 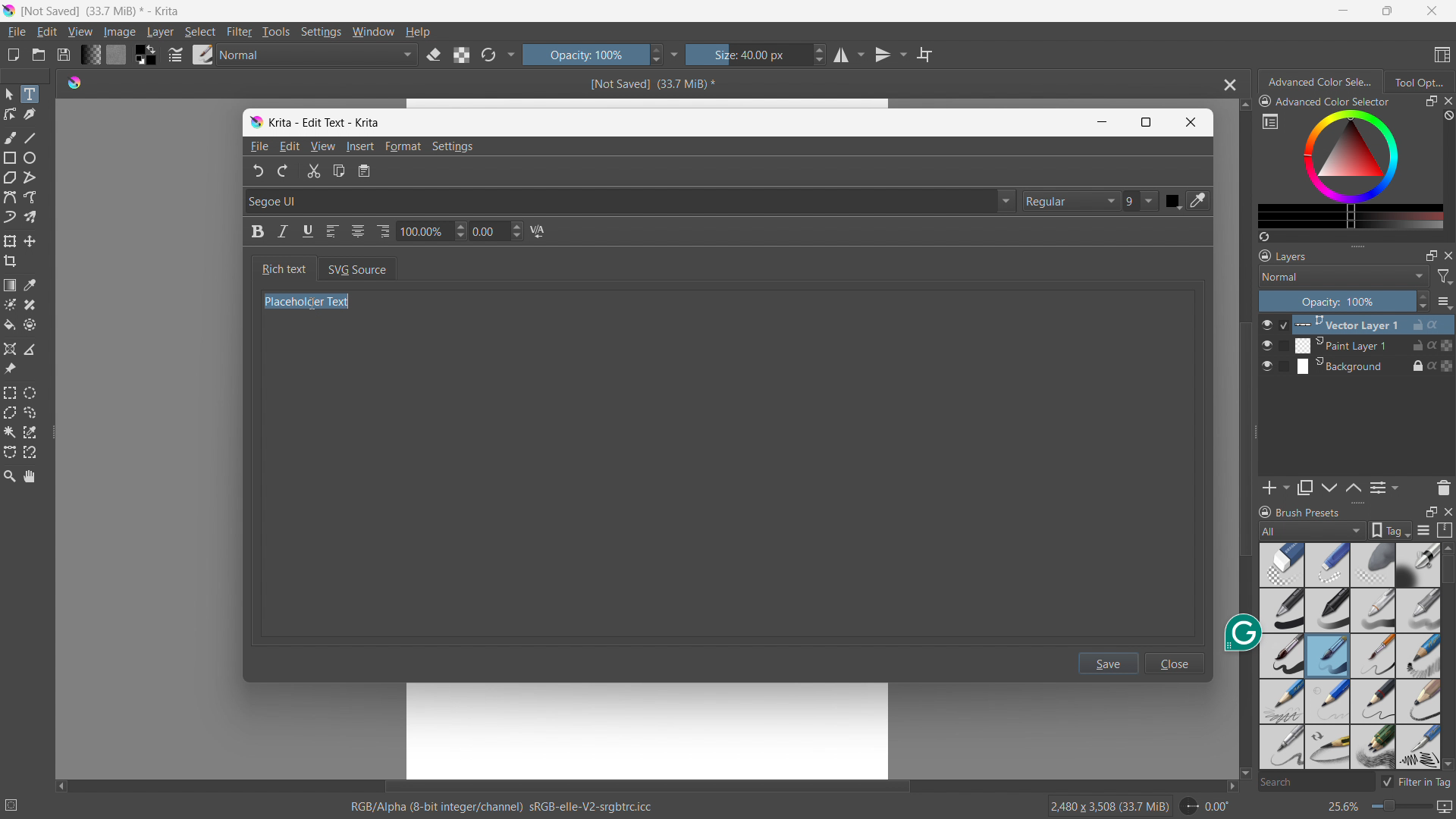 I want to click on measure the distance between two points, so click(x=30, y=349).